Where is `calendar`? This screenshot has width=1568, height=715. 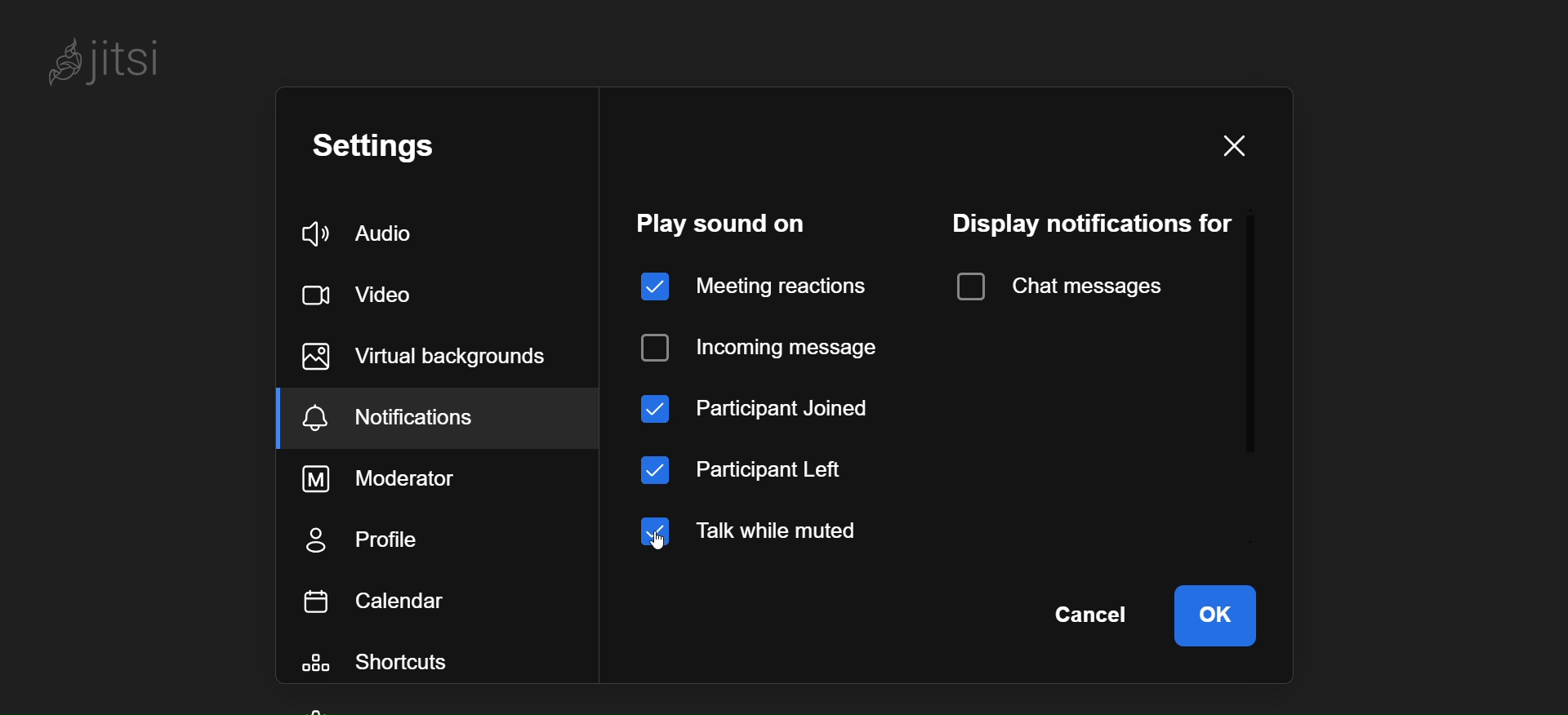 calendar is located at coordinates (379, 597).